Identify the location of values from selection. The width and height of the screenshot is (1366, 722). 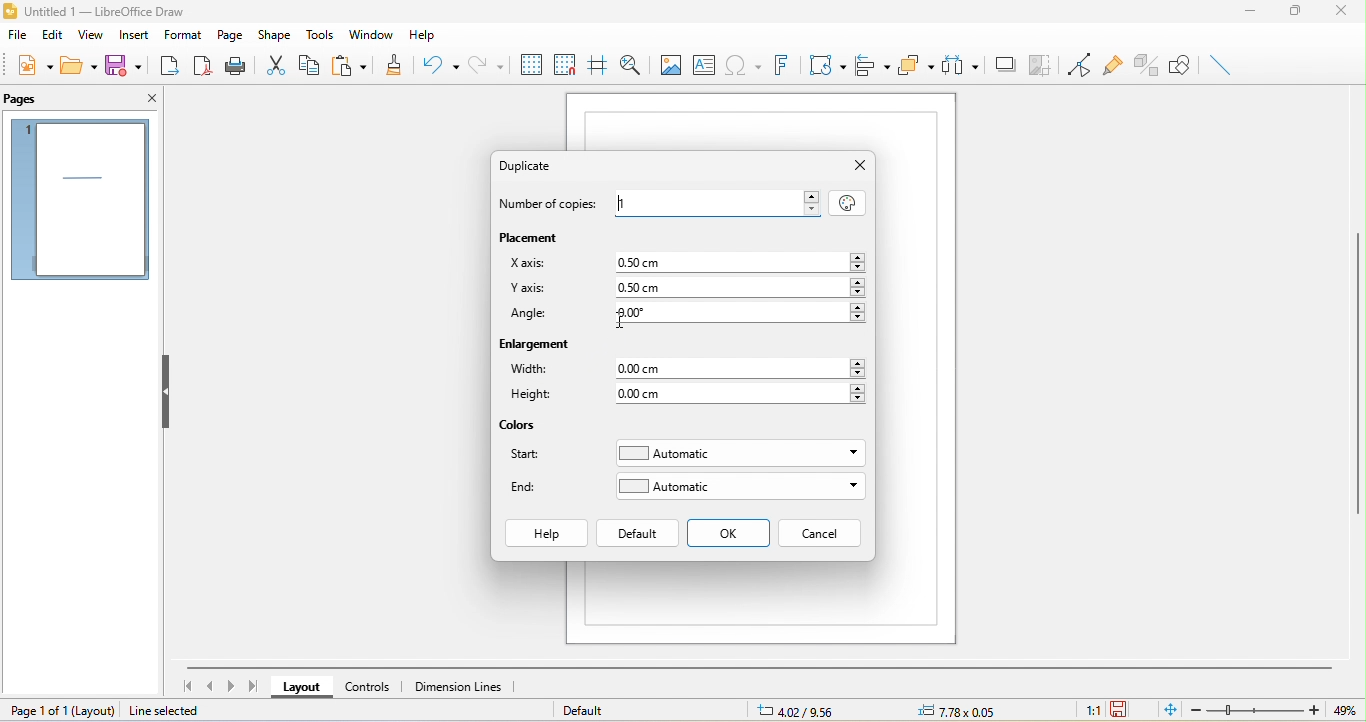
(846, 201).